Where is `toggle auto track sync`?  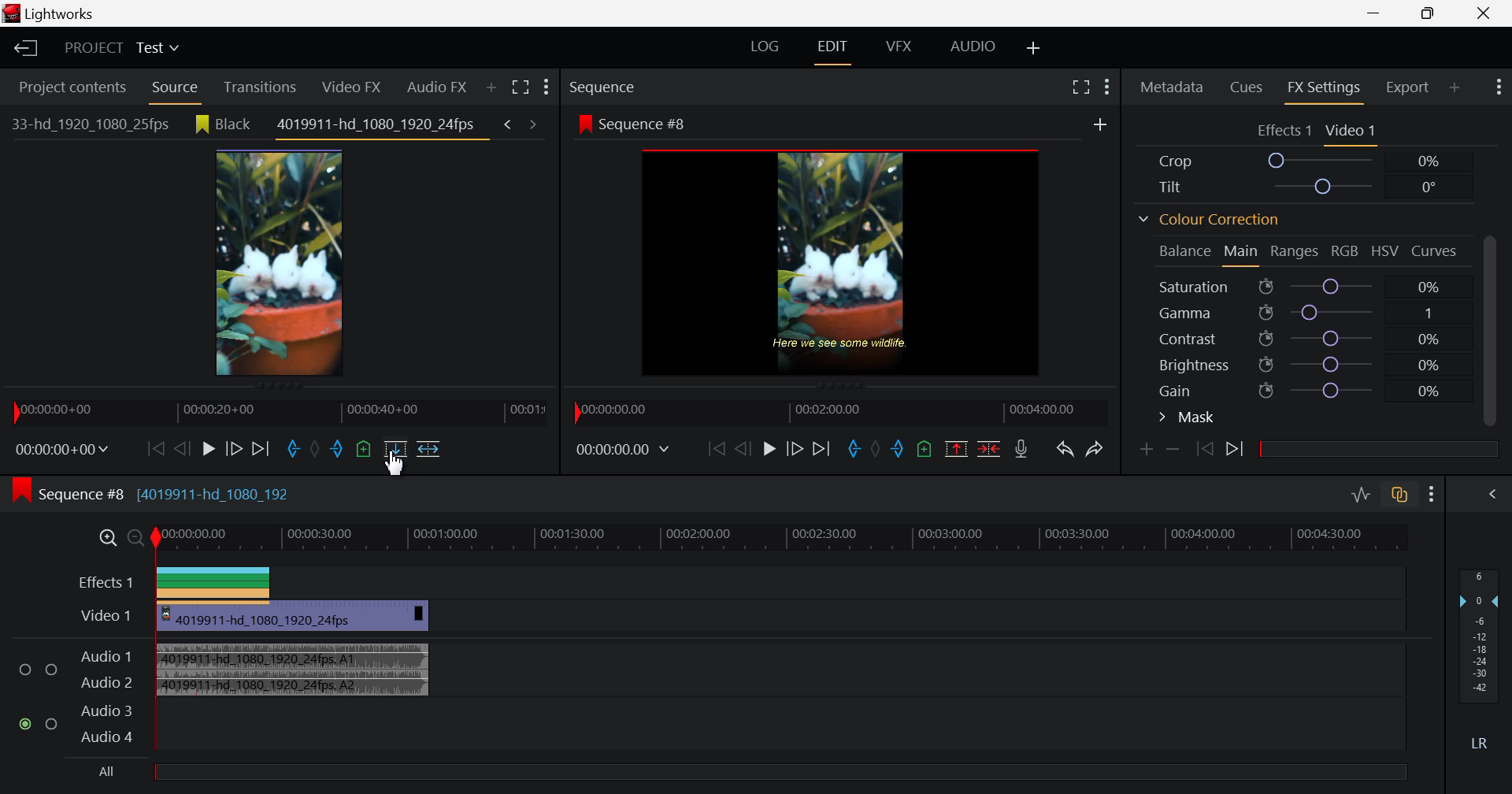
toggle auto track sync is located at coordinates (1400, 492).